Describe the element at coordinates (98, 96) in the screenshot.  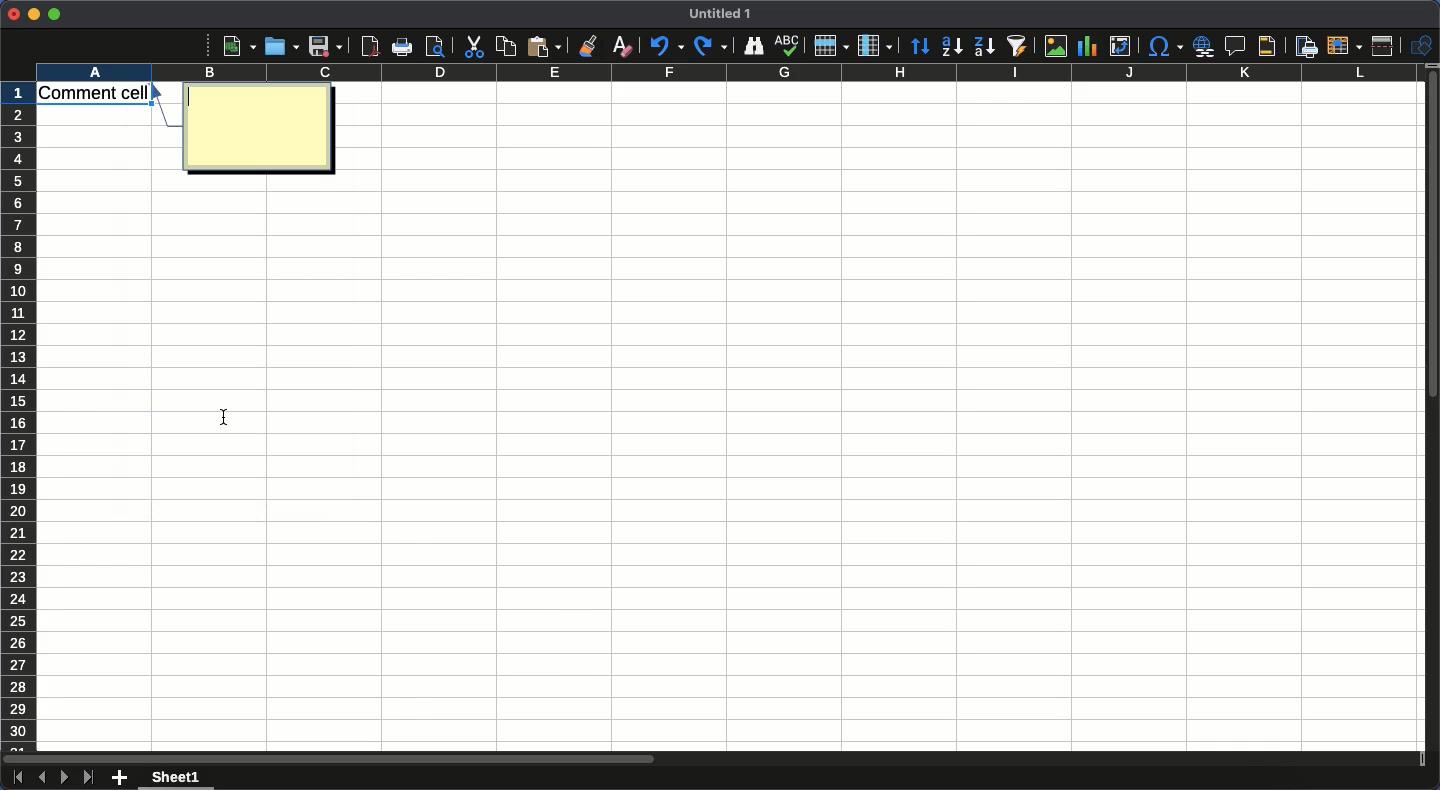
I see `Cell` at that location.